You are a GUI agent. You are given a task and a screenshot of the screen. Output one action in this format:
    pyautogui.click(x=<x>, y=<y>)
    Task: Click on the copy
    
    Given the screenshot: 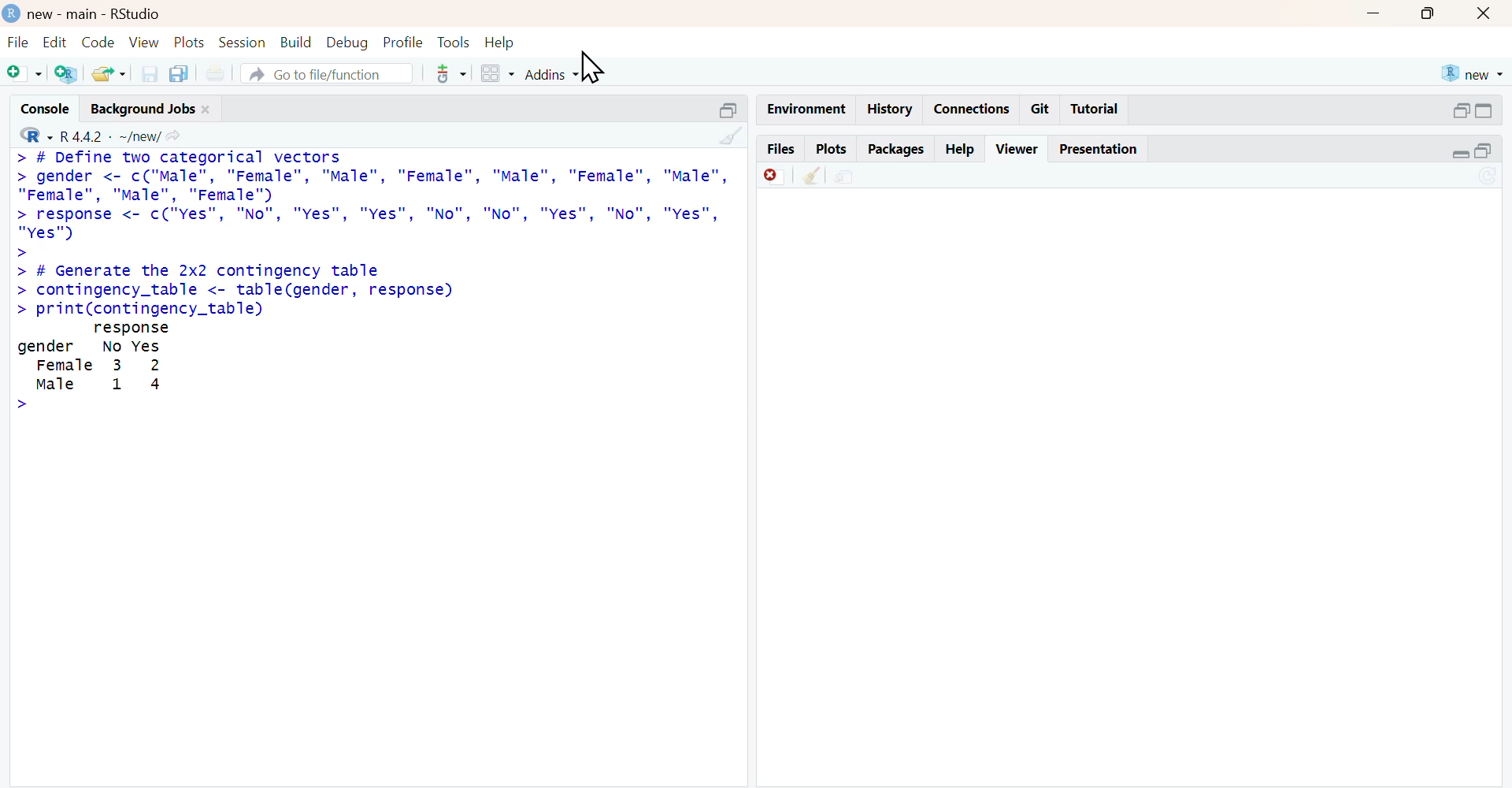 What is the action you would take?
    pyautogui.click(x=180, y=73)
    